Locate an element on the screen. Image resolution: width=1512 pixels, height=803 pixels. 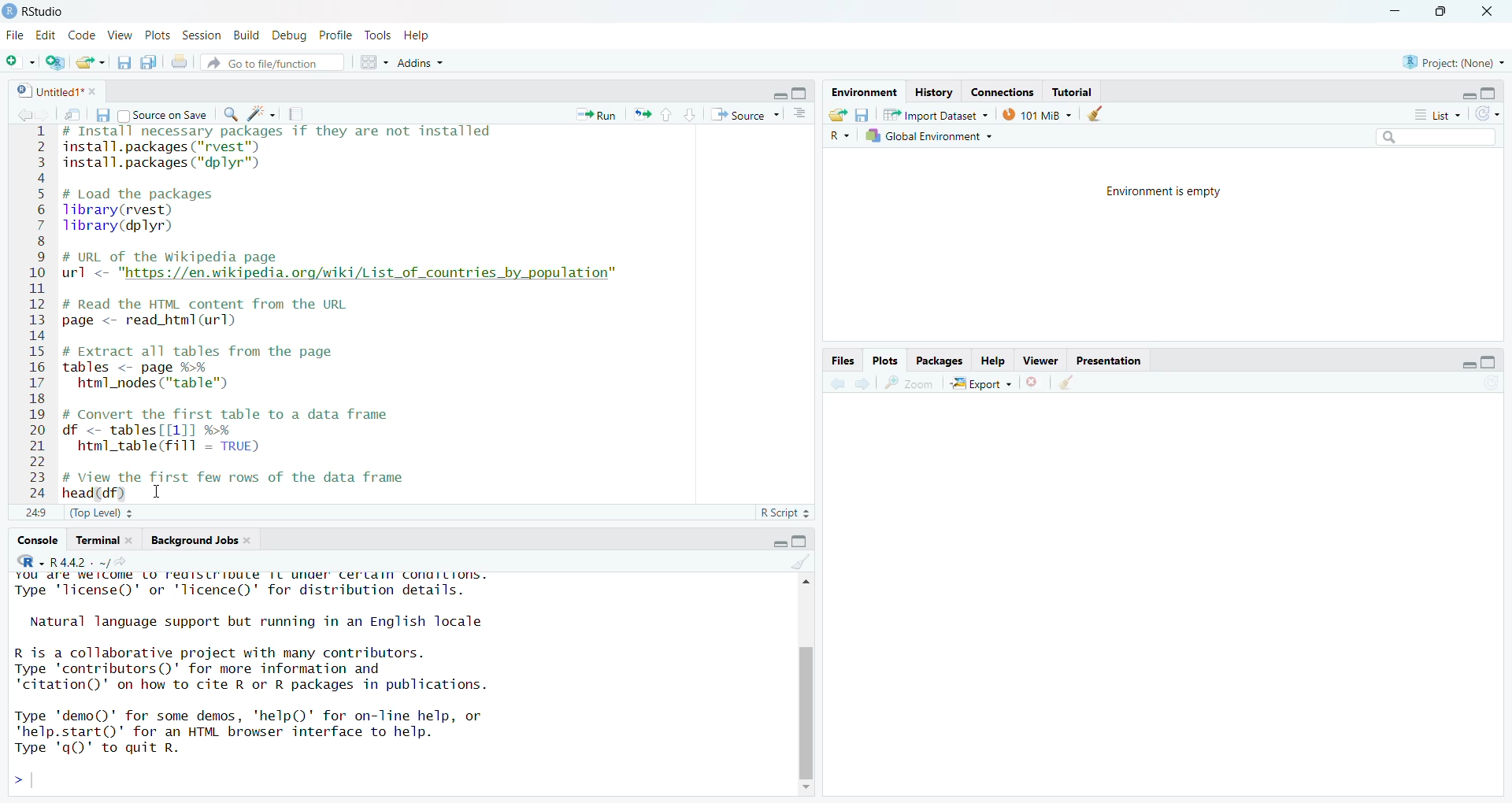
line numbering is located at coordinates (38, 313).